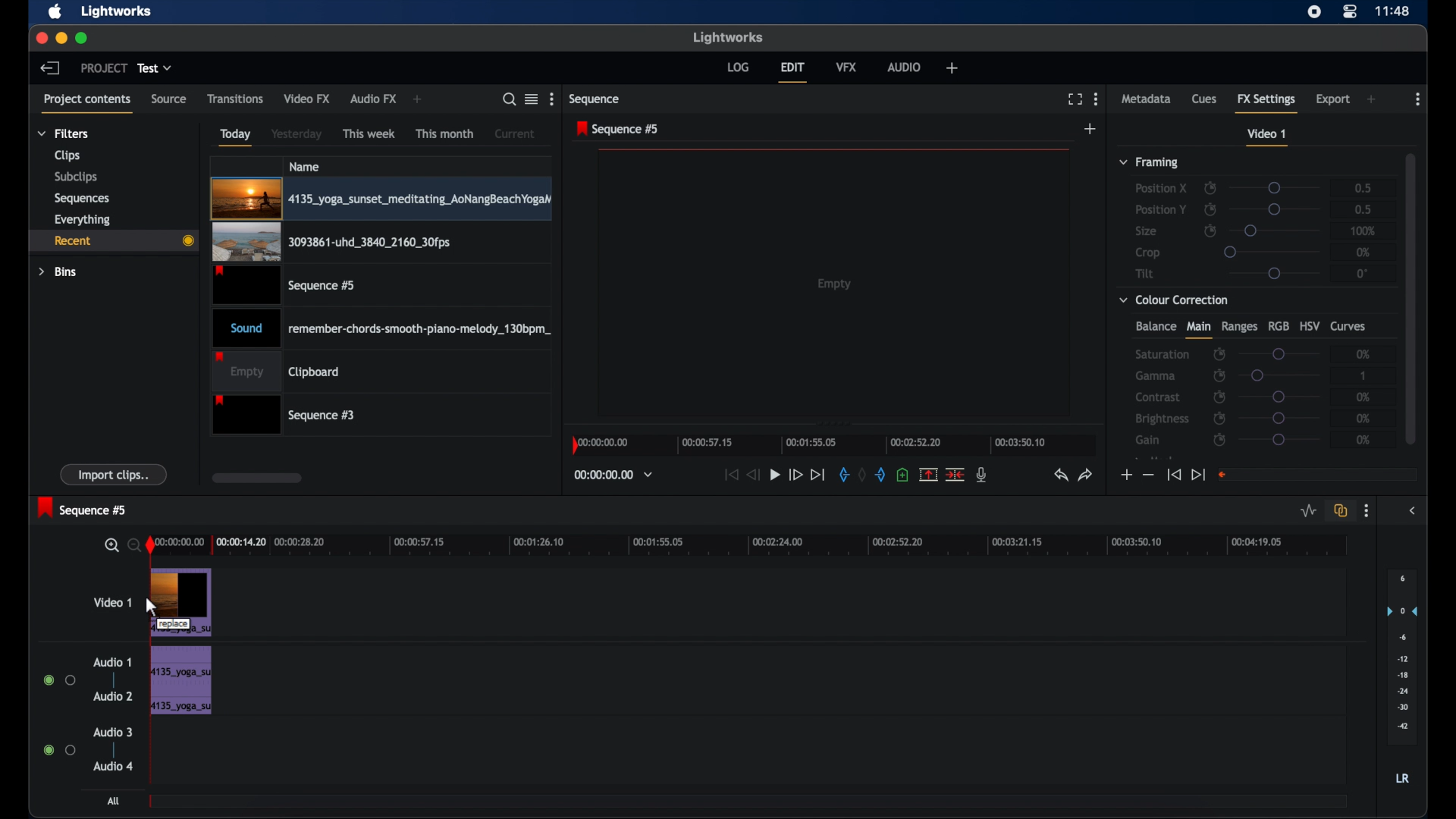  What do you see at coordinates (444, 133) in the screenshot?
I see `this month` at bounding box center [444, 133].